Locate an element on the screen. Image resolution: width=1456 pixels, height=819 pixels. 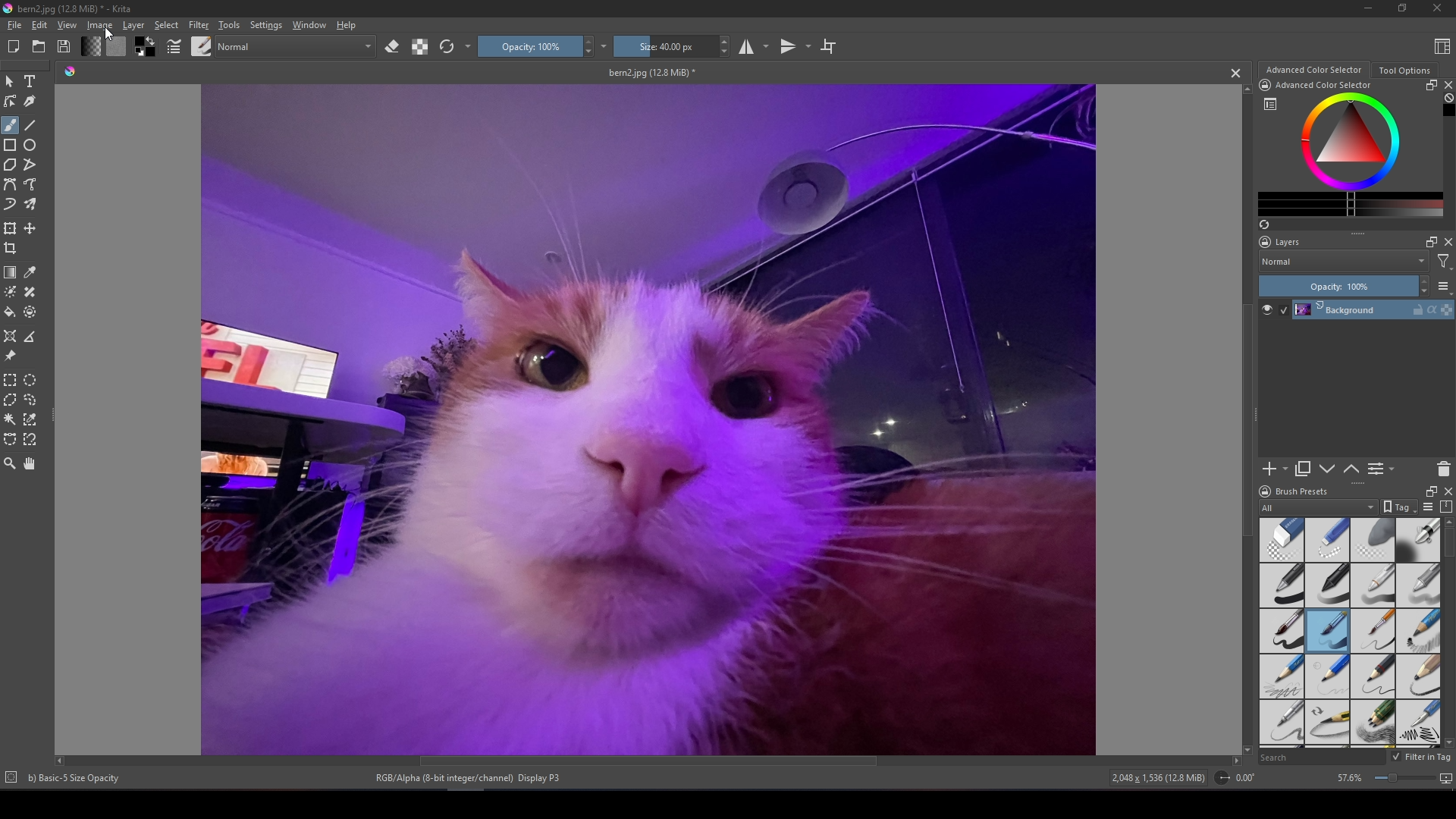
Options is located at coordinates (469, 46).